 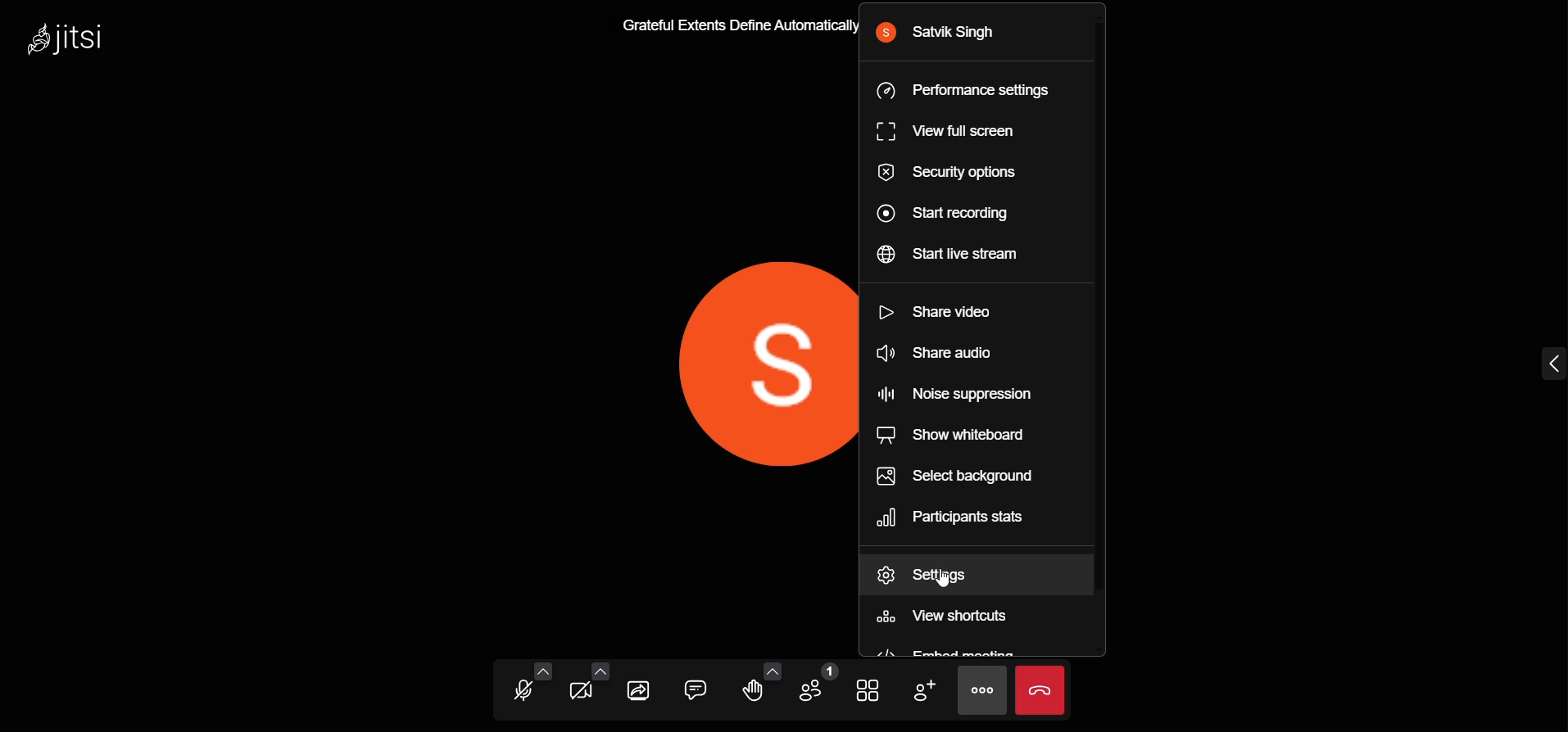 I want to click on audio setting, so click(x=542, y=669).